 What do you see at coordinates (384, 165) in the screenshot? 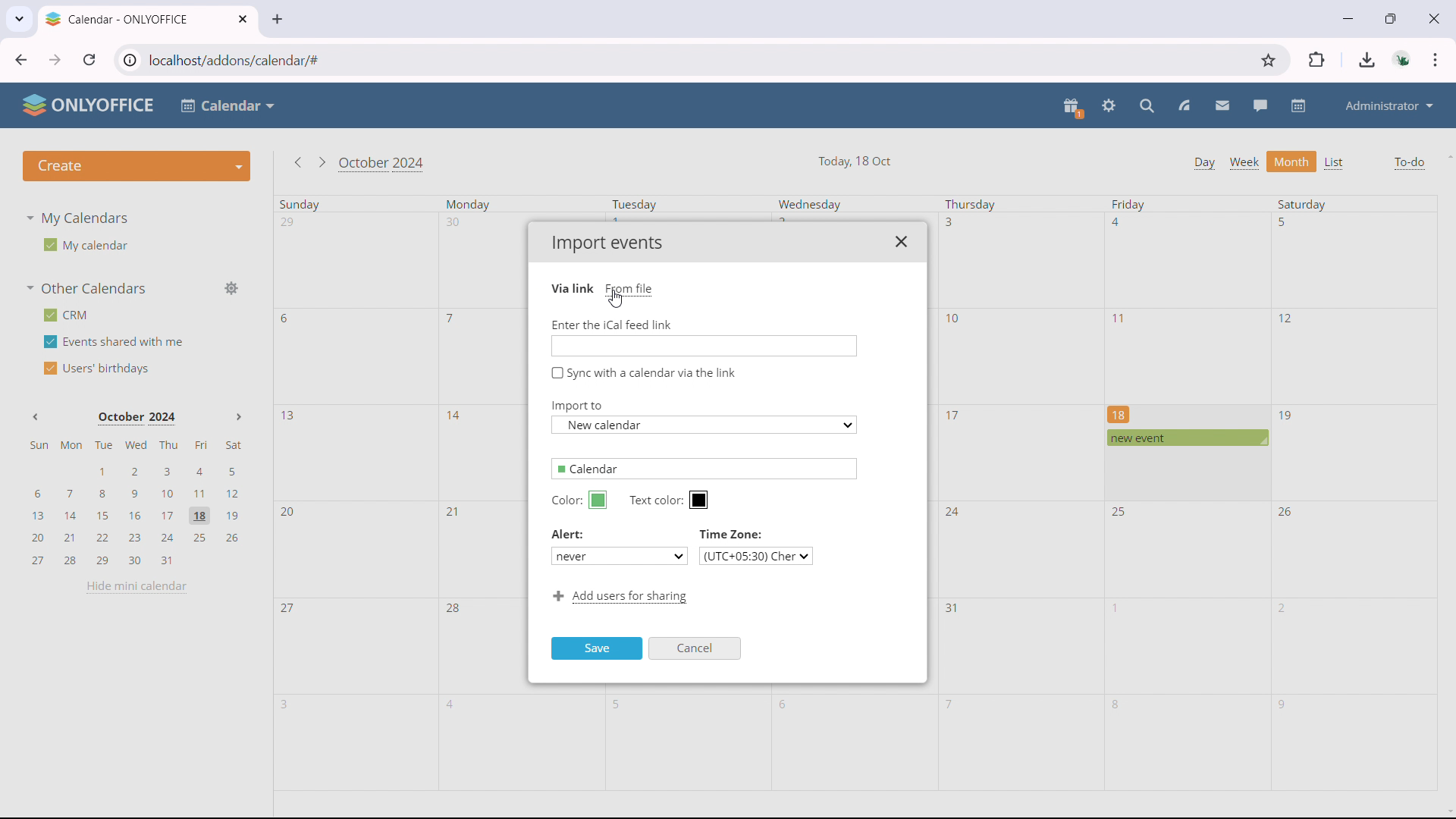
I see `October 2024` at bounding box center [384, 165].